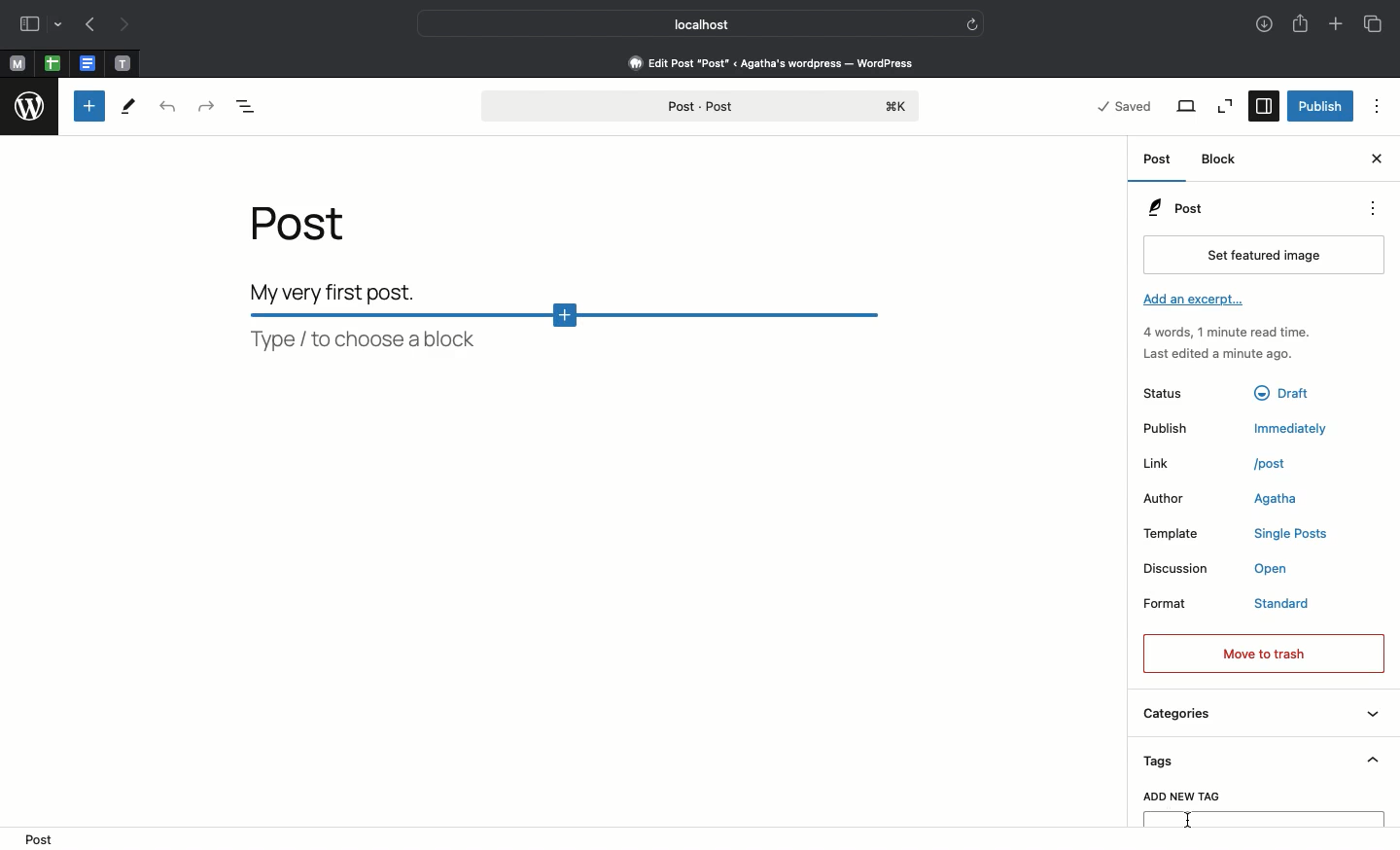 The width and height of the screenshot is (1400, 850). Describe the element at coordinates (689, 23) in the screenshot. I see `Local host` at that location.